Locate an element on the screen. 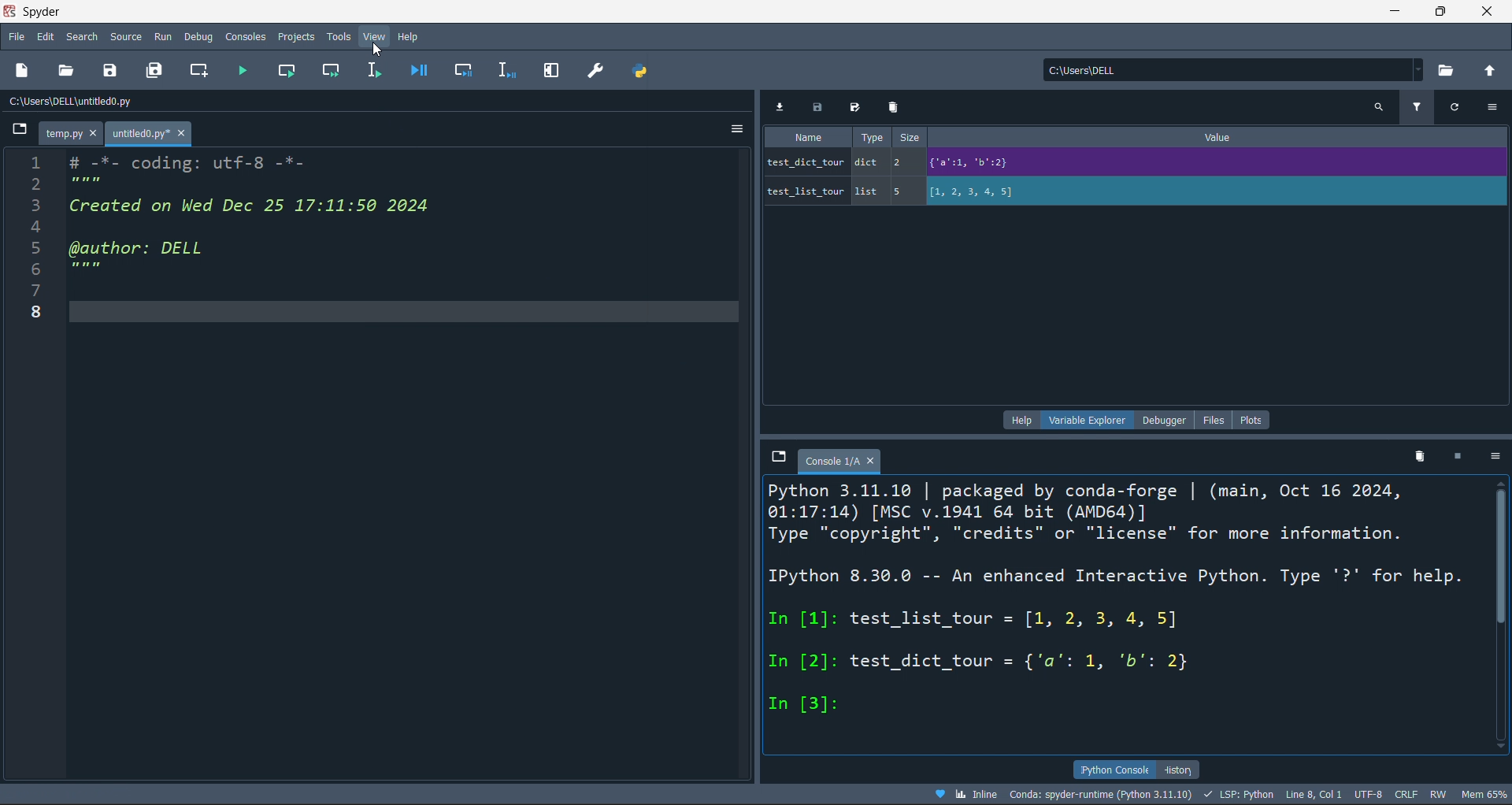  new cell is located at coordinates (200, 69).